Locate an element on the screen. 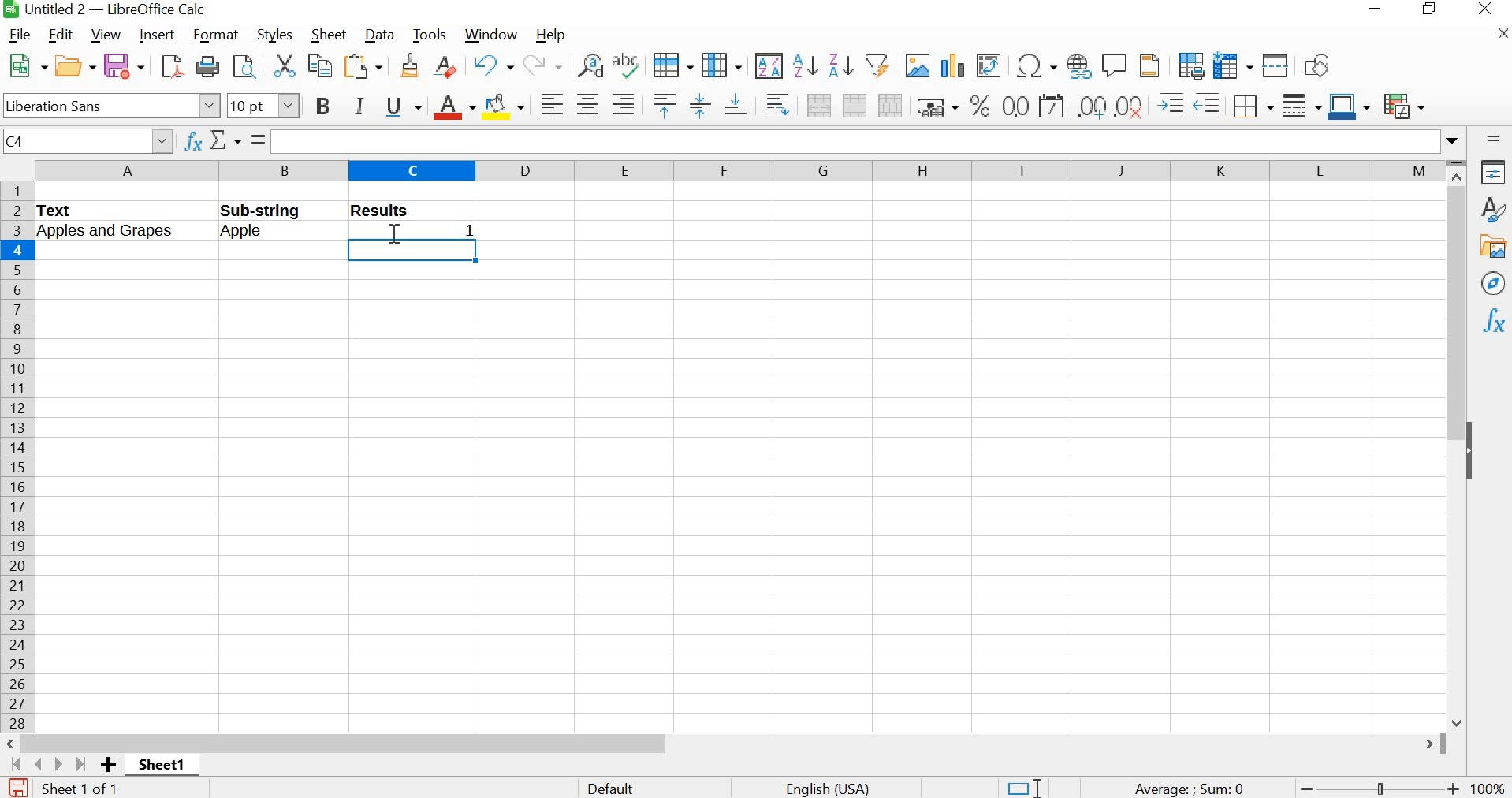 Image resolution: width=1512 pixels, height=798 pixels. wrap text is located at coordinates (777, 106).